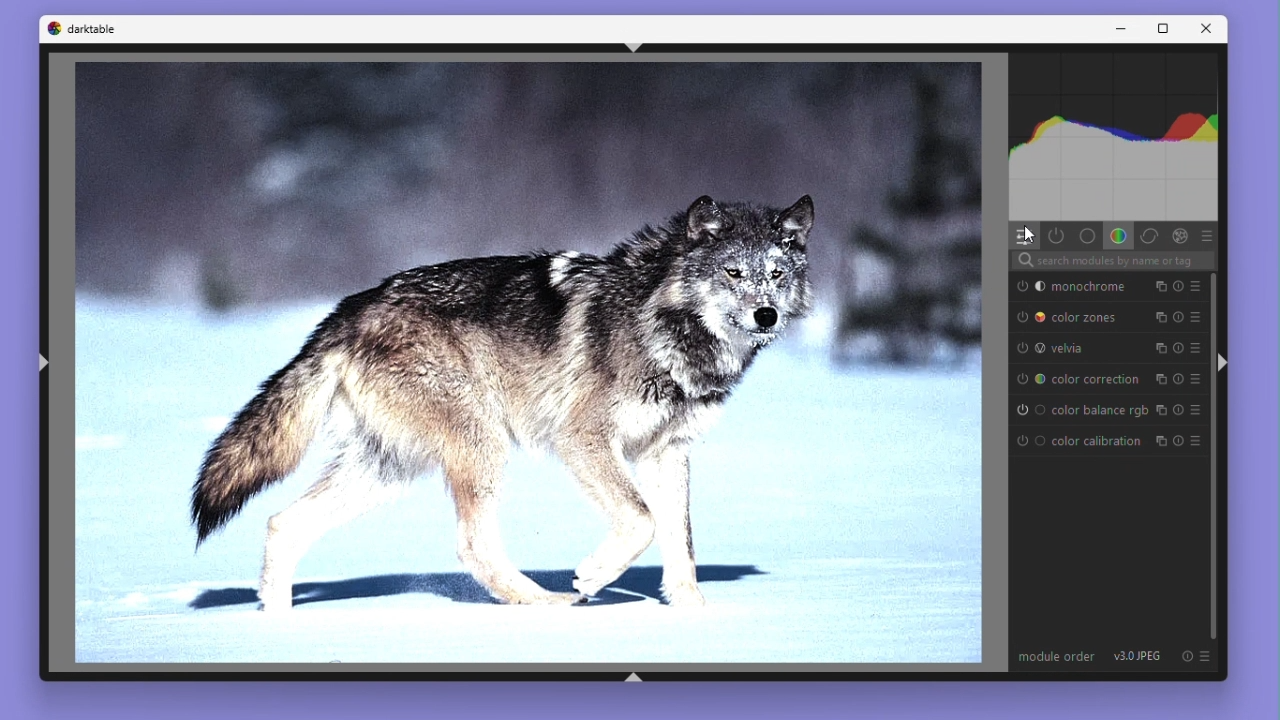 Image resolution: width=1280 pixels, height=720 pixels. What do you see at coordinates (1157, 287) in the screenshot?
I see `multiple instance actions` at bounding box center [1157, 287].